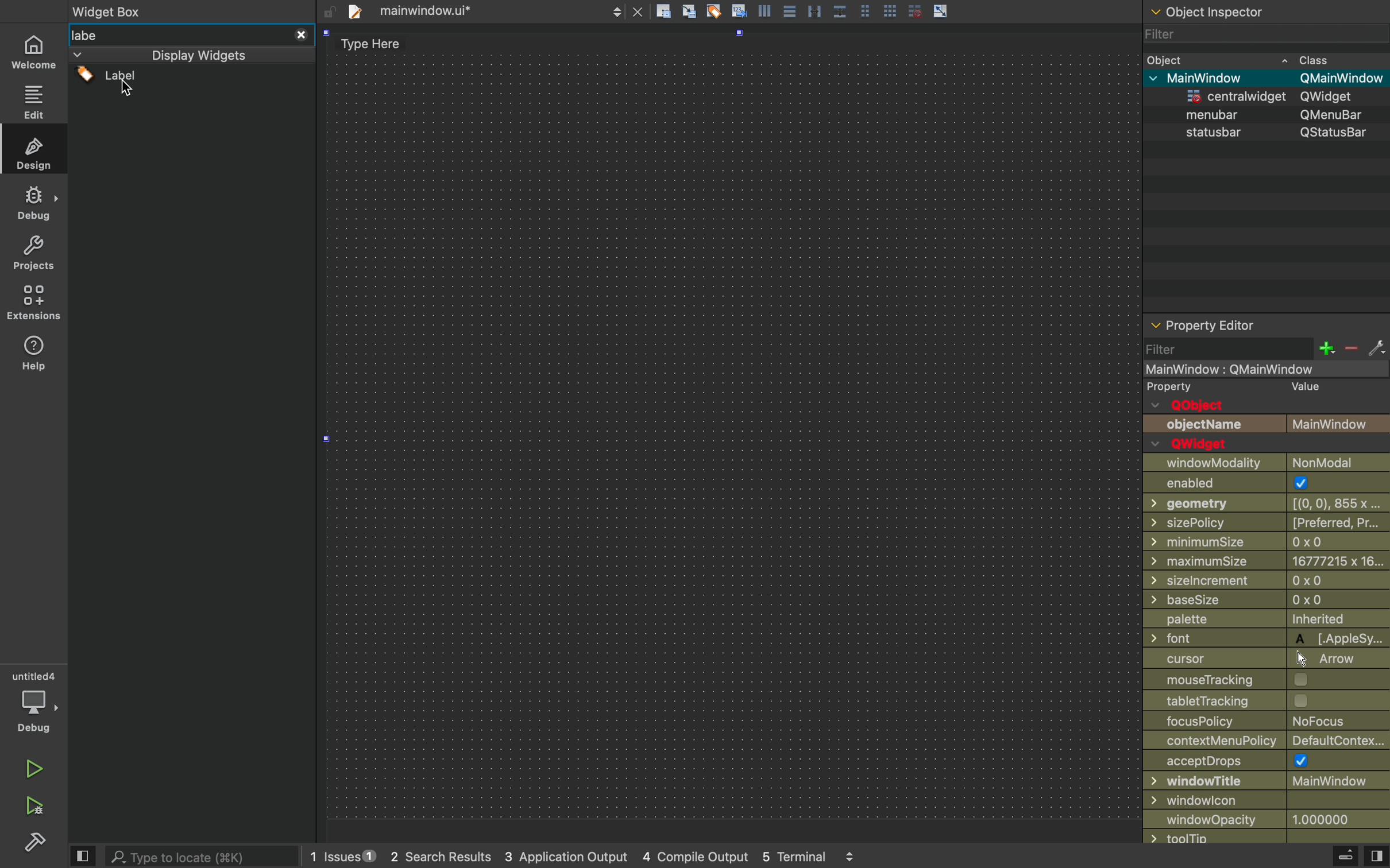  Describe the element at coordinates (817, 11) in the screenshot. I see `Parallel` at that location.